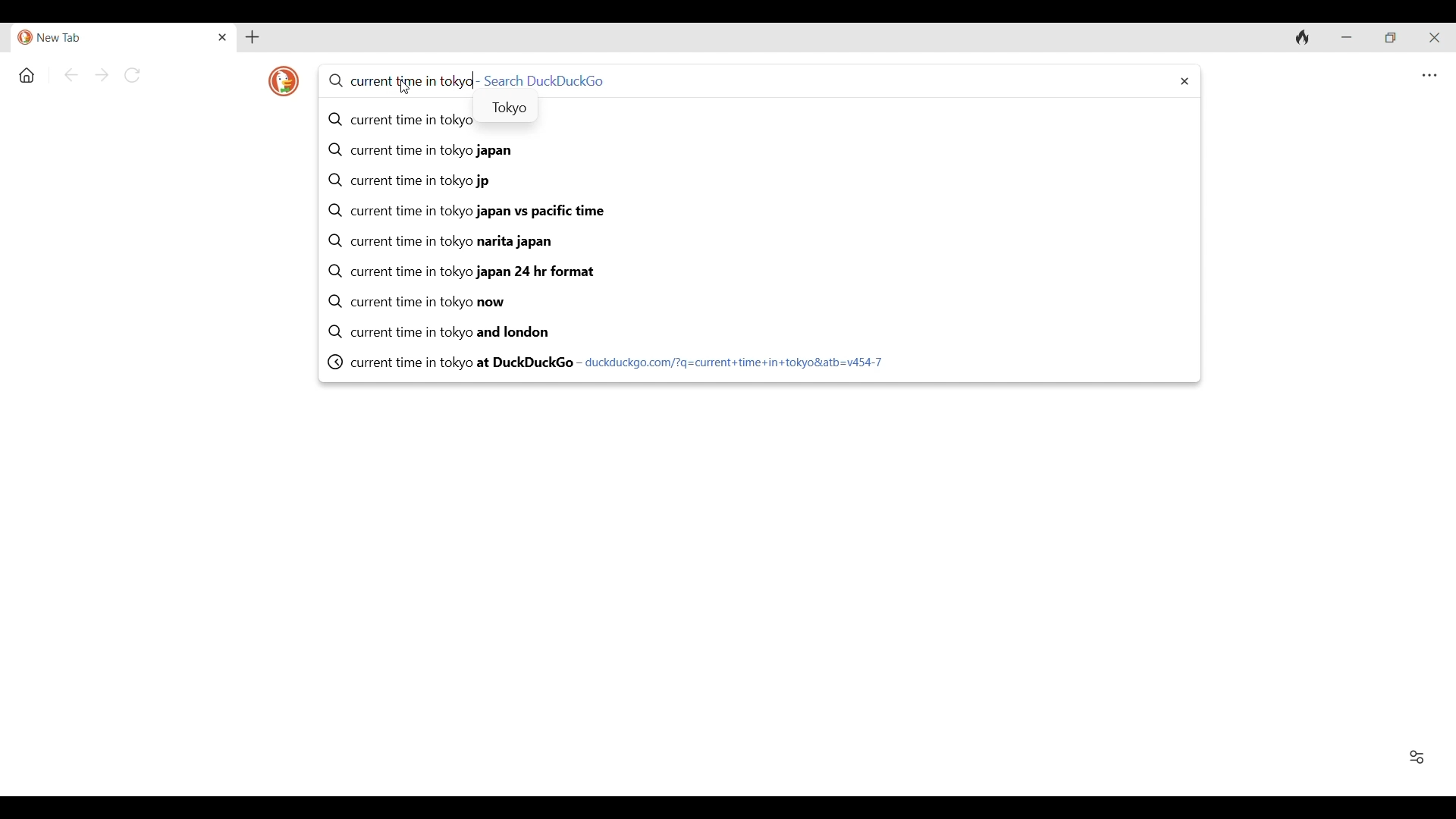 This screenshot has height=819, width=1456. Describe the element at coordinates (404, 87) in the screenshot. I see `Cursor` at that location.